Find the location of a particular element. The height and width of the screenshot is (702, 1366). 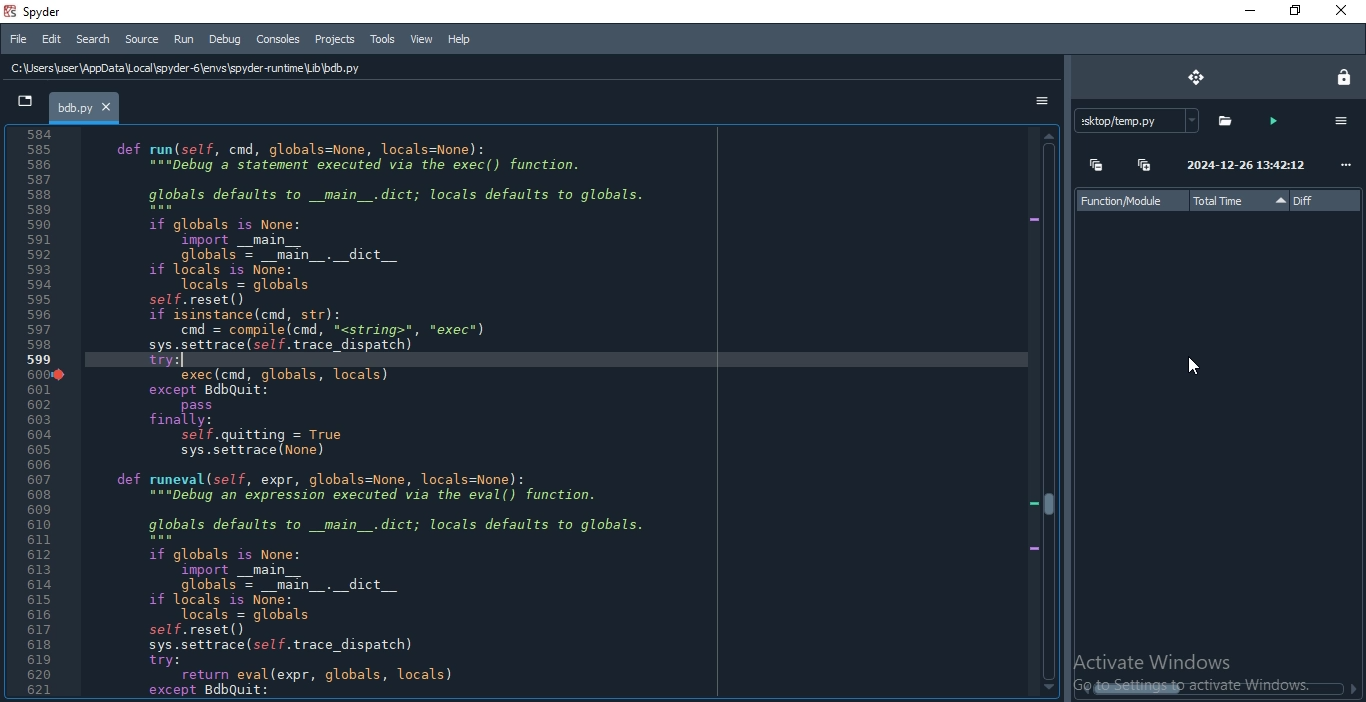

lock is located at coordinates (1338, 79).